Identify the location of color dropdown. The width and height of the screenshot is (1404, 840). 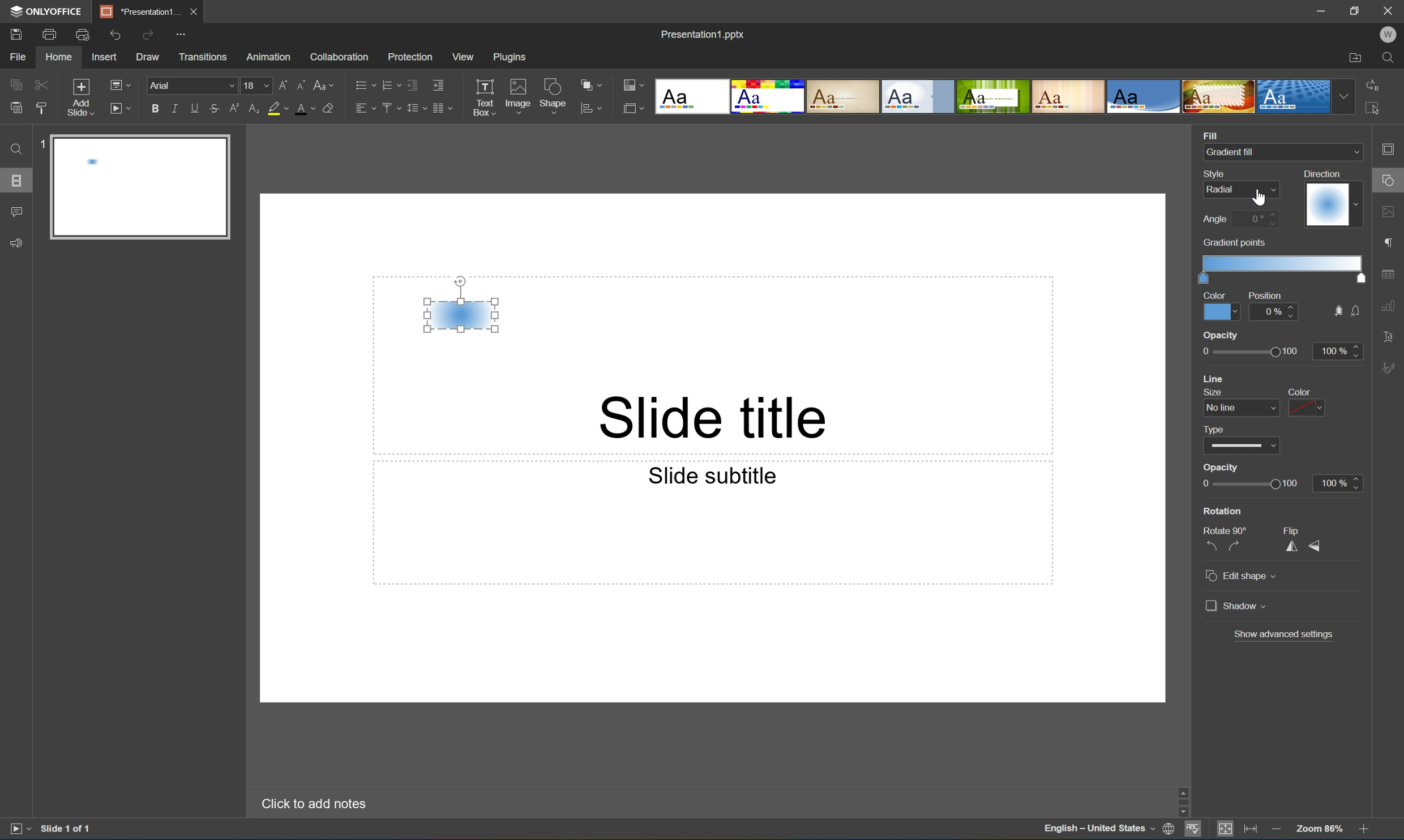
(1307, 408).